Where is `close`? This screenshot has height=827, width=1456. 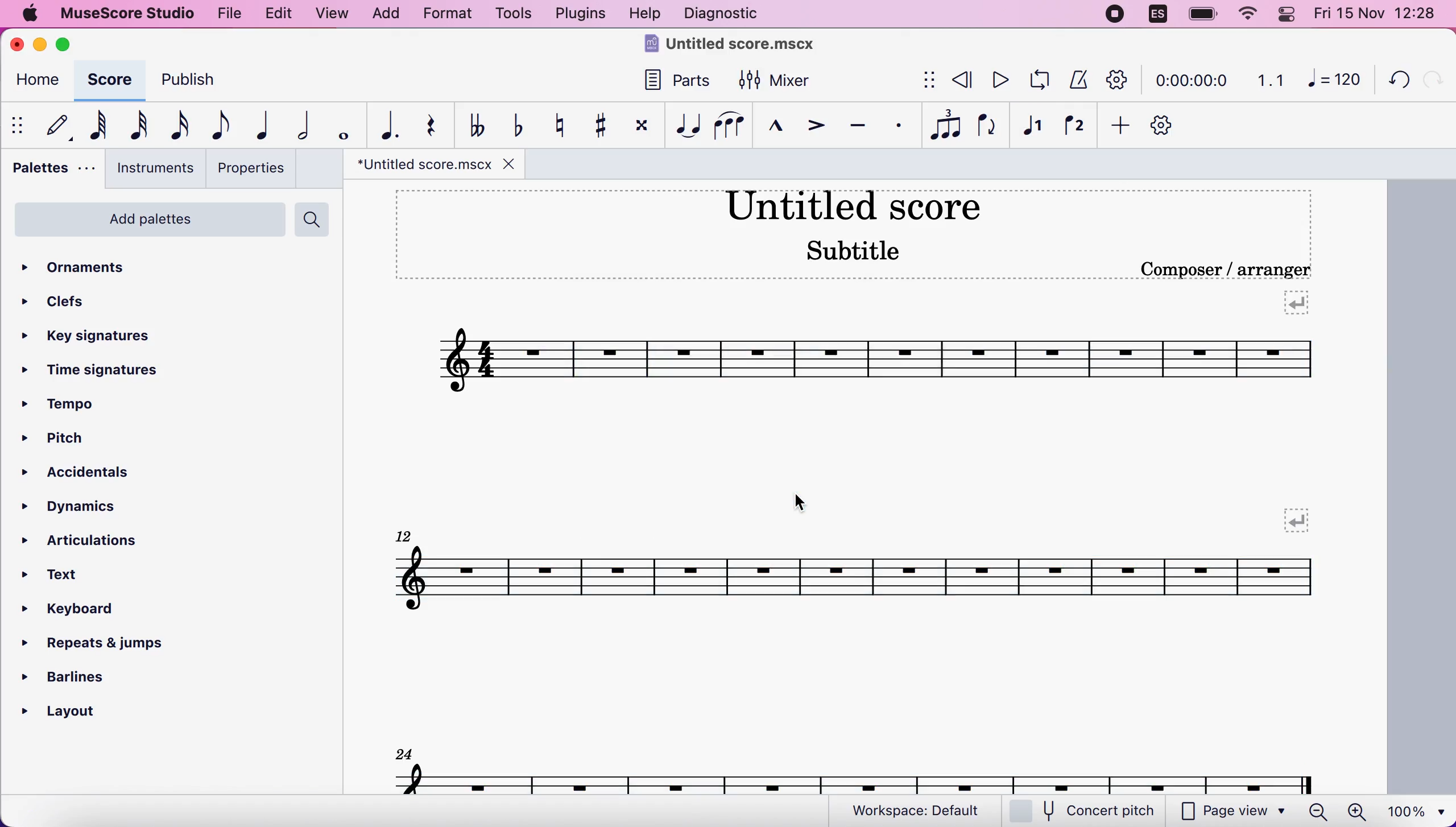
close is located at coordinates (20, 46).